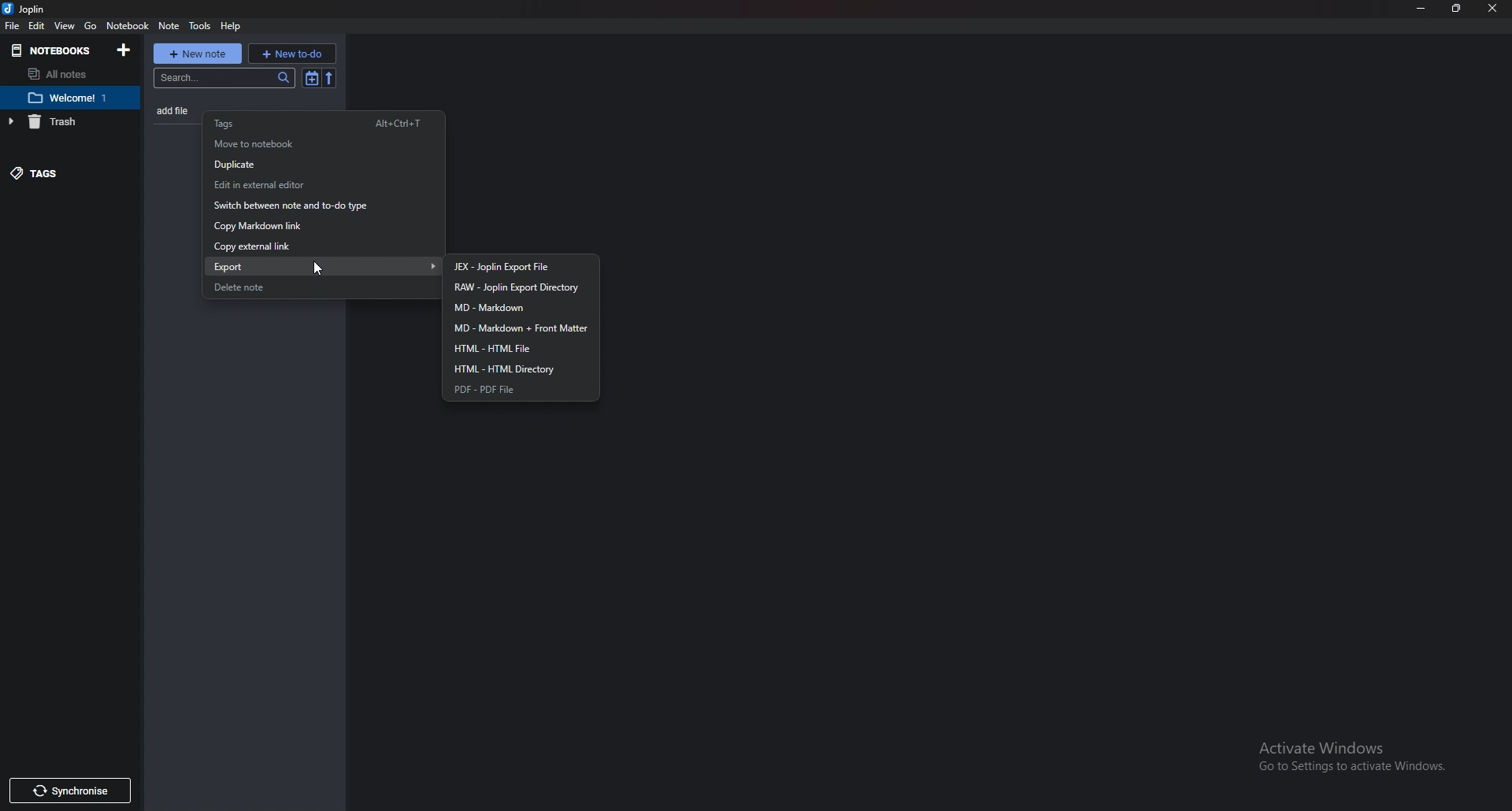 The width and height of the screenshot is (1512, 811). What do you see at coordinates (170, 25) in the screenshot?
I see `note` at bounding box center [170, 25].